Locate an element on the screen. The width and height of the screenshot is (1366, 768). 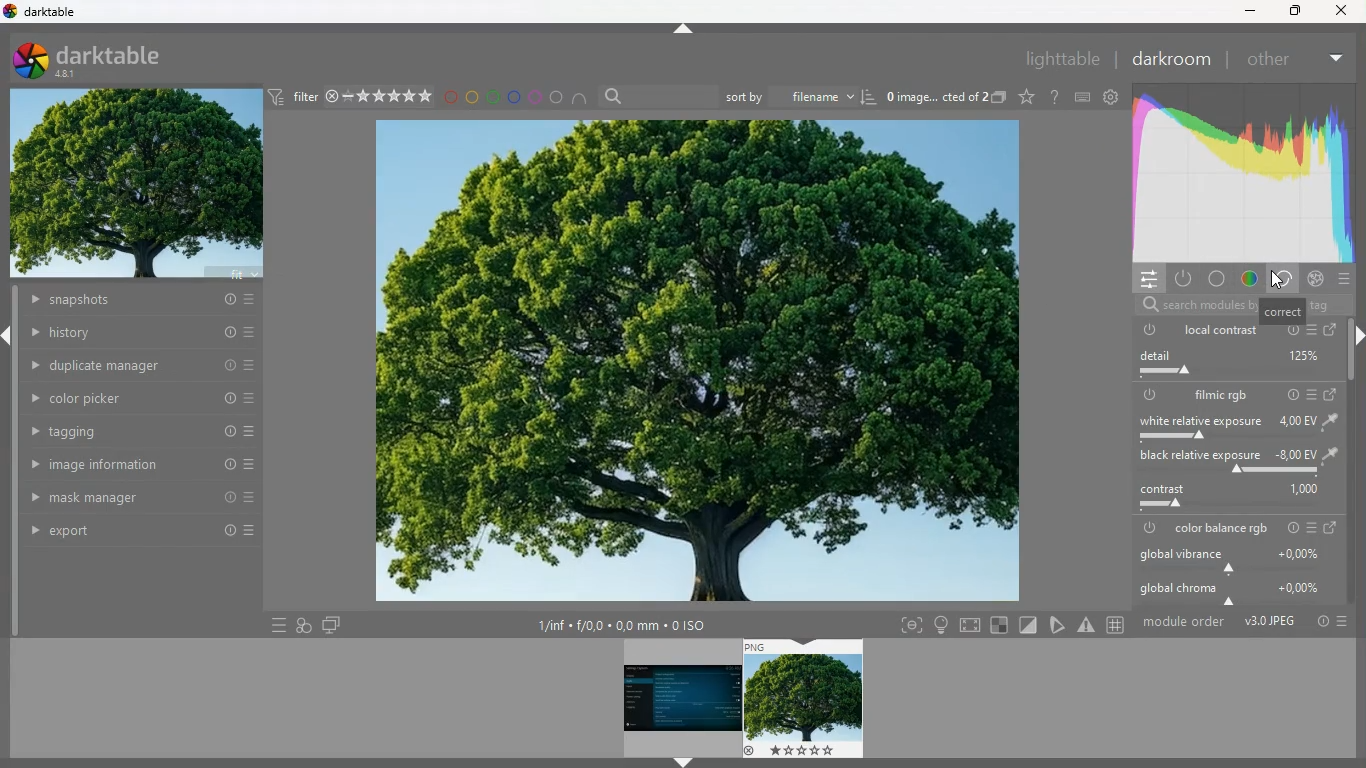
red is located at coordinates (450, 98).